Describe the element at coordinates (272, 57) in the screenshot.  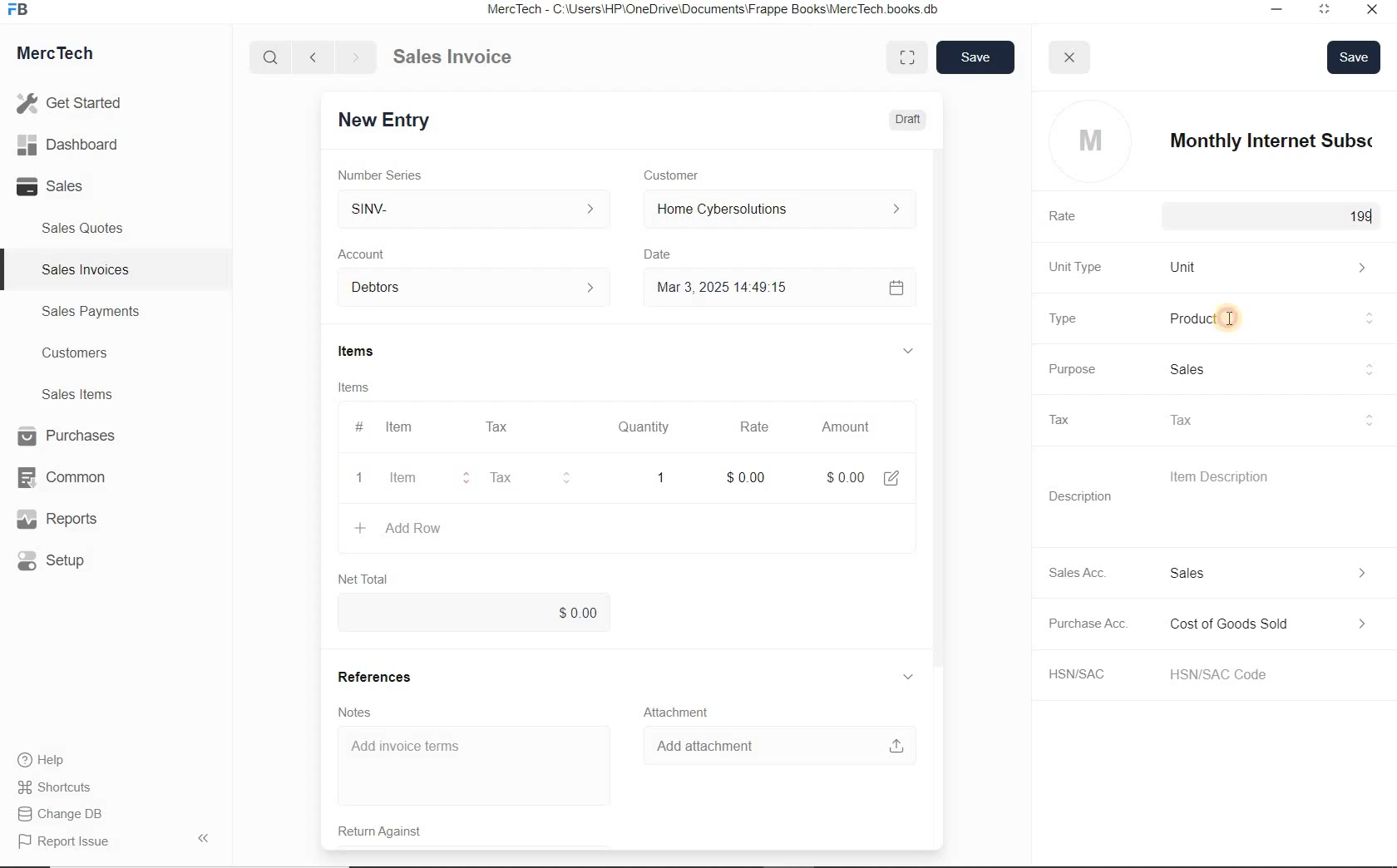
I see `Search` at that location.